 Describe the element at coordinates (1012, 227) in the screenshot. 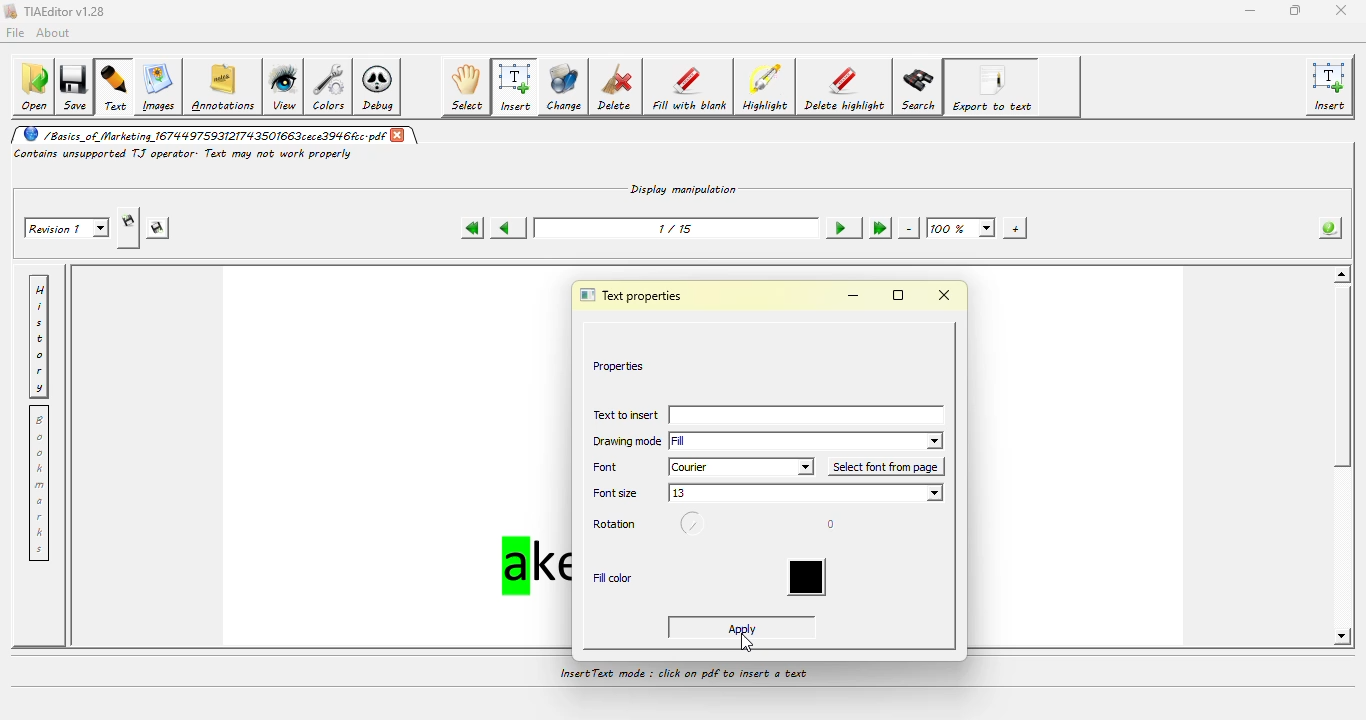

I see `zoom in` at that location.